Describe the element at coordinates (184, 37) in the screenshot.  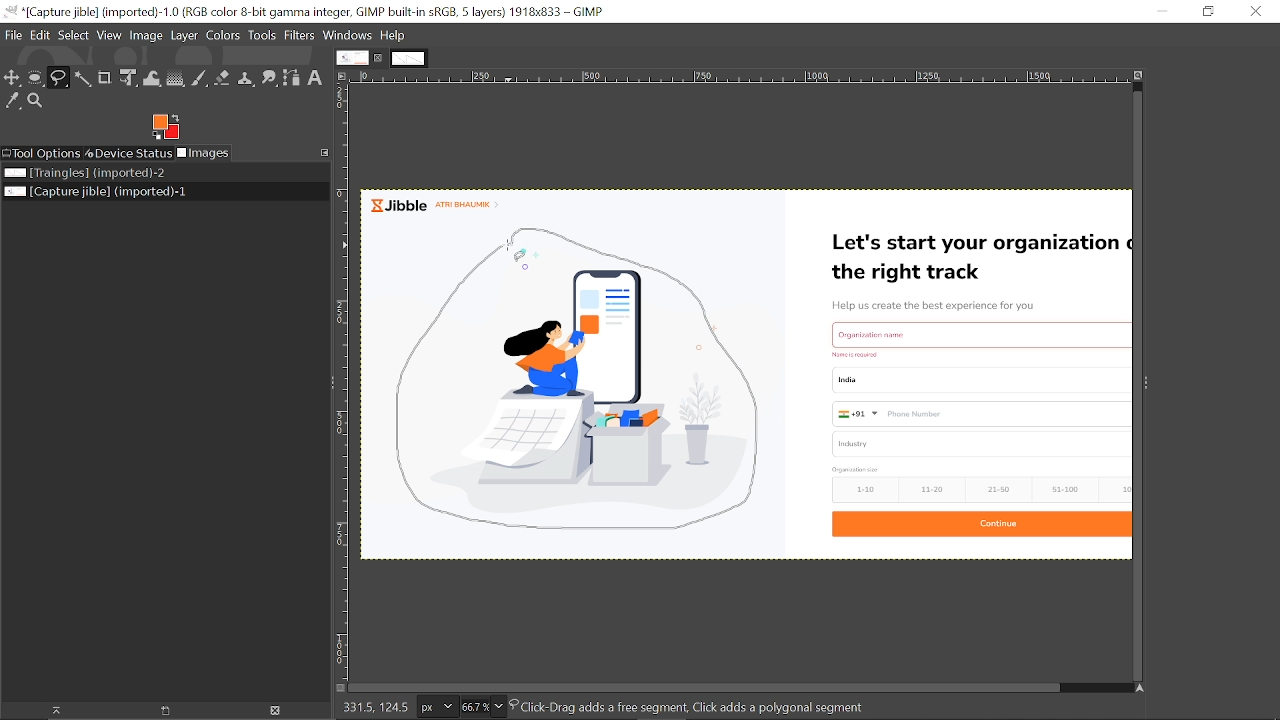
I see `Layer` at that location.